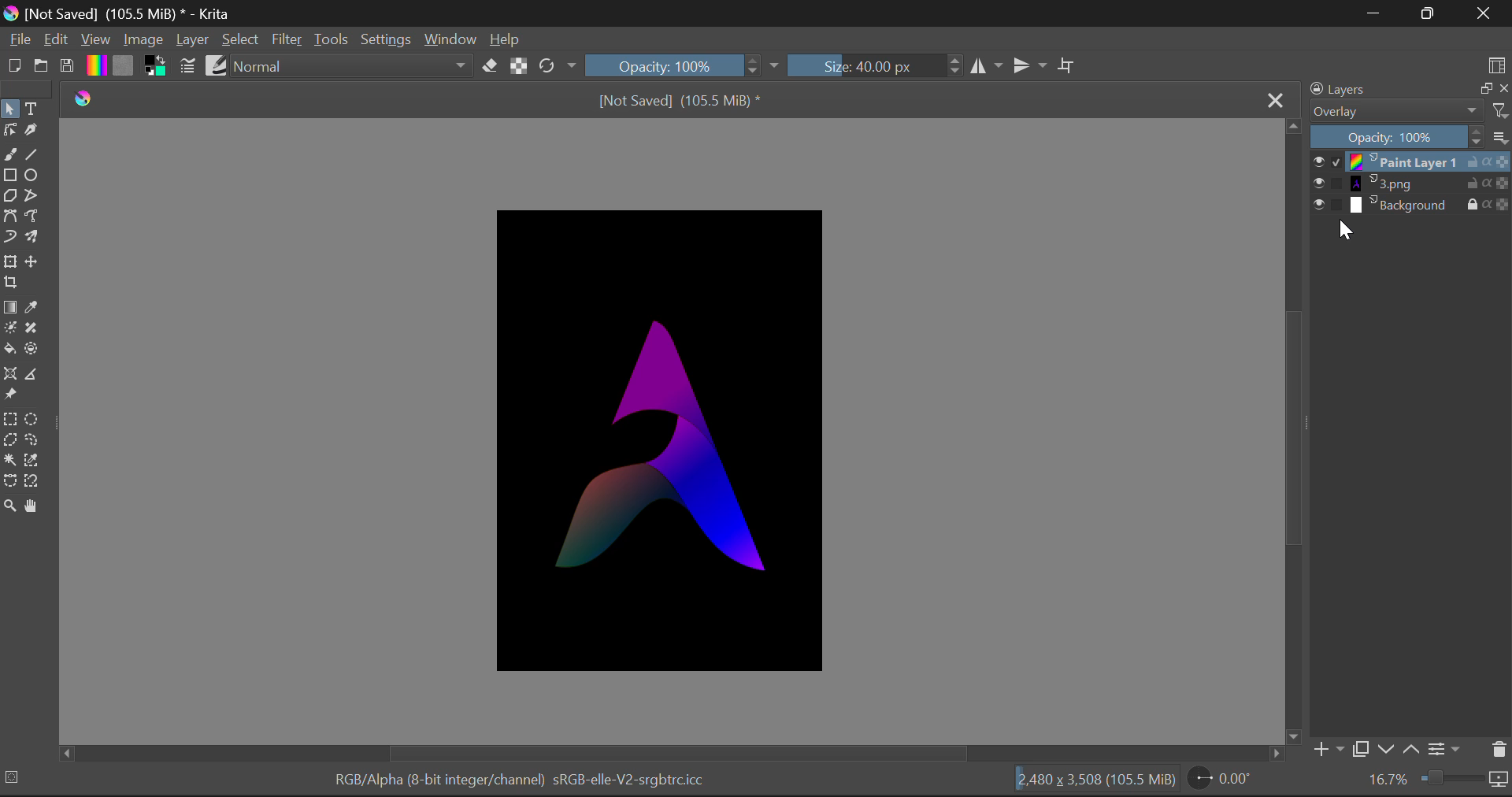  Describe the element at coordinates (1411, 110) in the screenshot. I see `Blending Mode` at that location.